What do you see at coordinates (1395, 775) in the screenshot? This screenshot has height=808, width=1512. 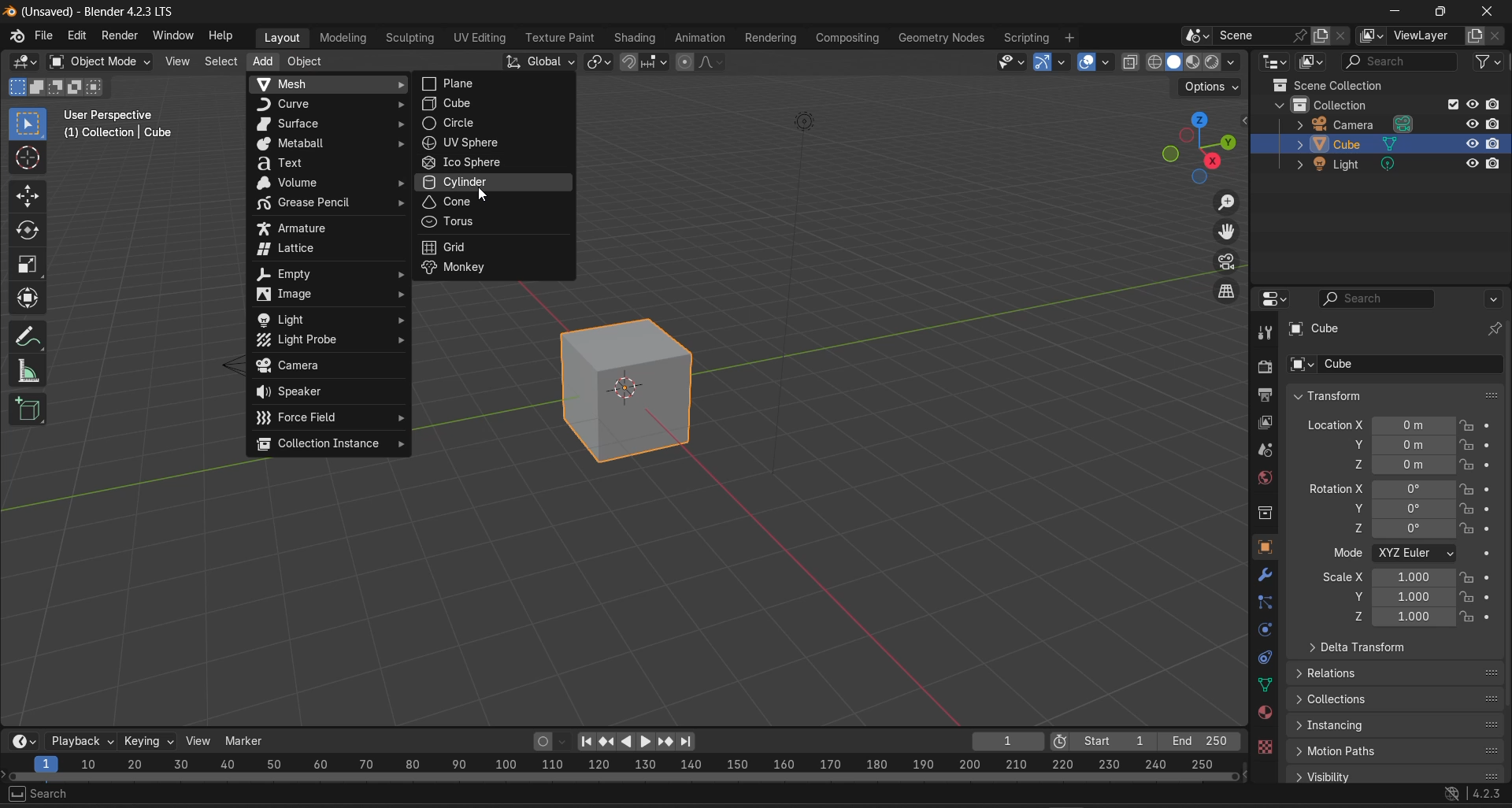 I see `visibility` at bounding box center [1395, 775].